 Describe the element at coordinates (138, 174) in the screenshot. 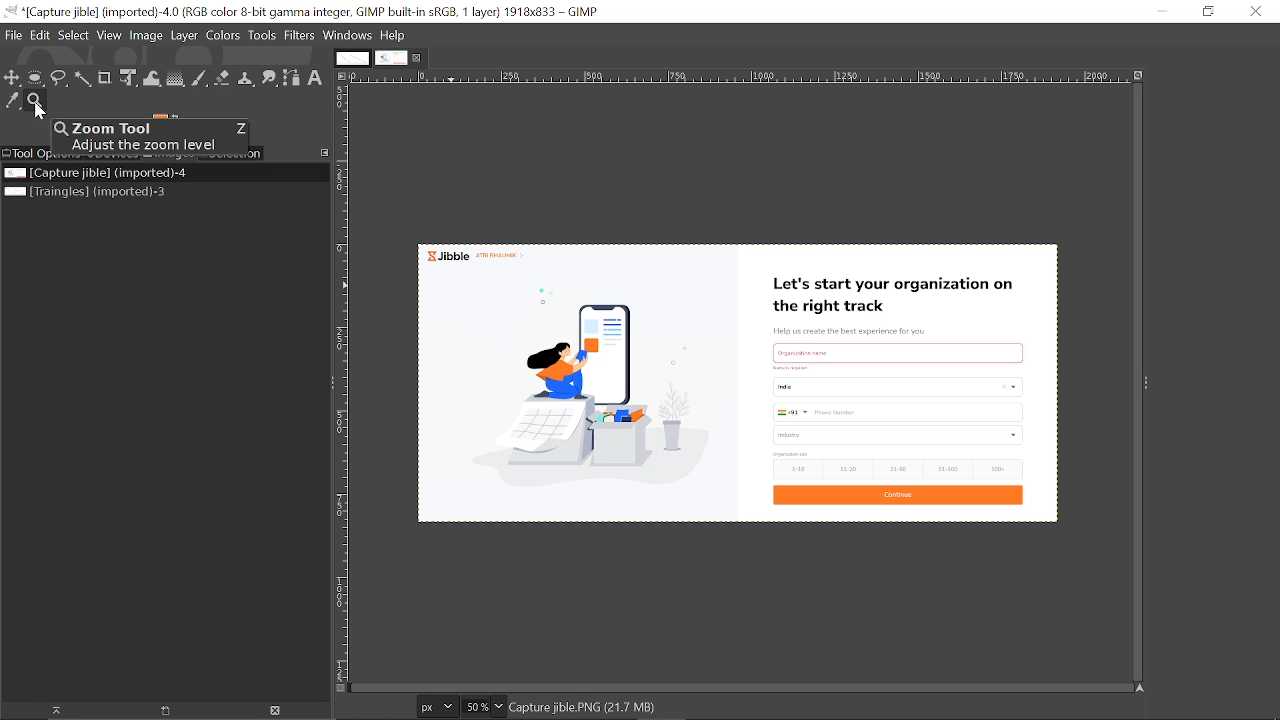

I see `Current file` at that location.